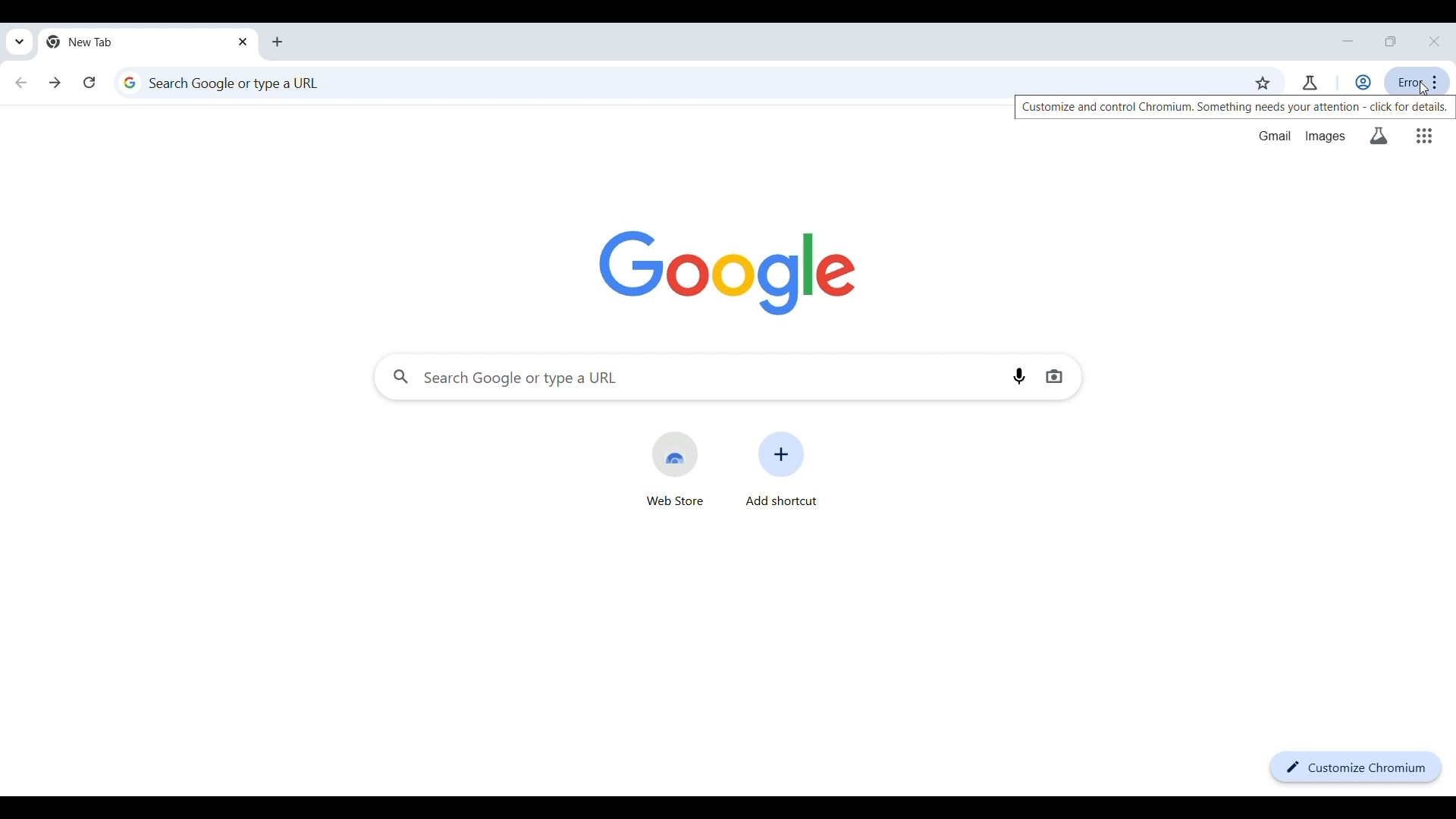  What do you see at coordinates (243, 41) in the screenshot?
I see `Close tab` at bounding box center [243, 41].